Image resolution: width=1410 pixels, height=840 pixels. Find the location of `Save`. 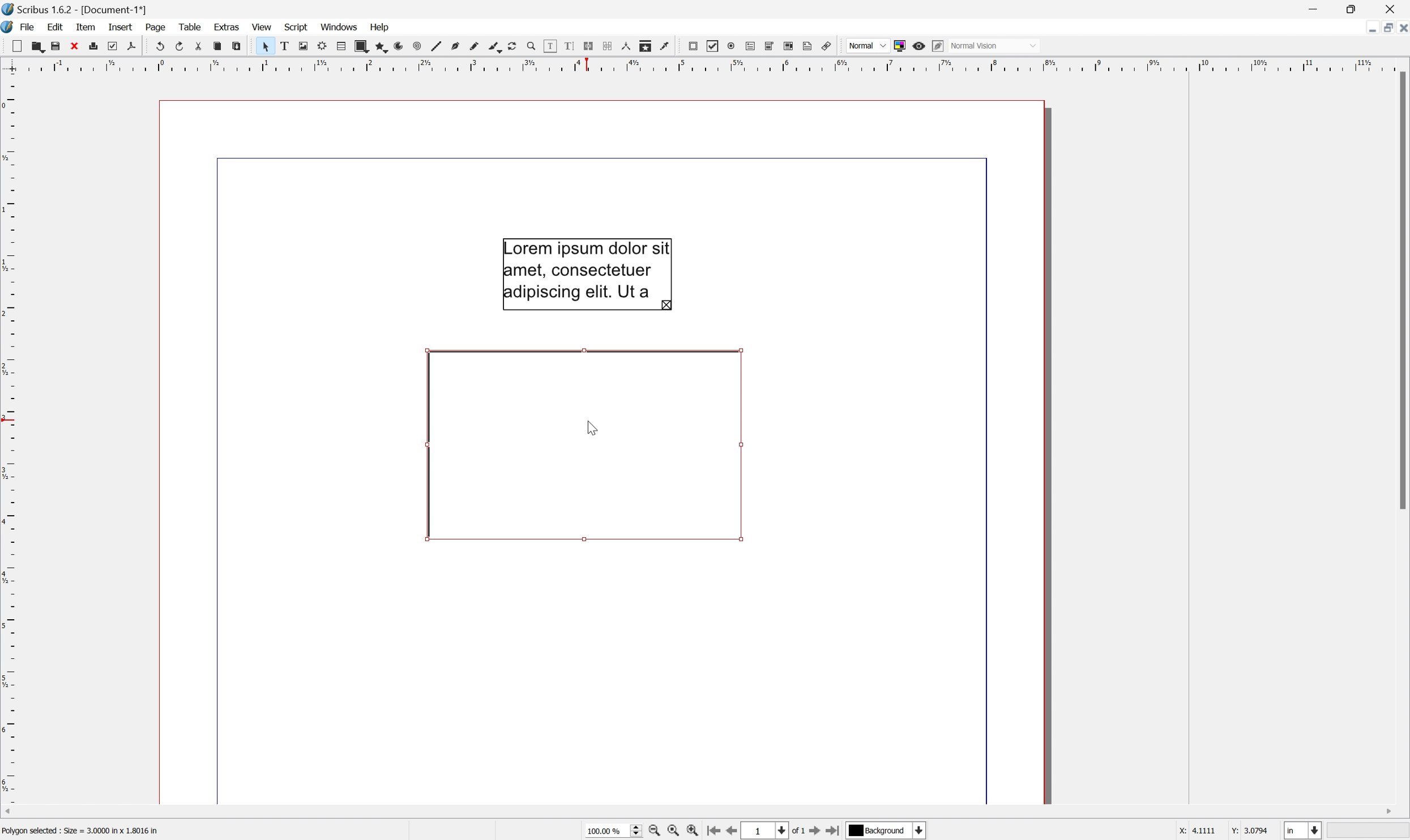

Save is located at coordinates (54, 47).